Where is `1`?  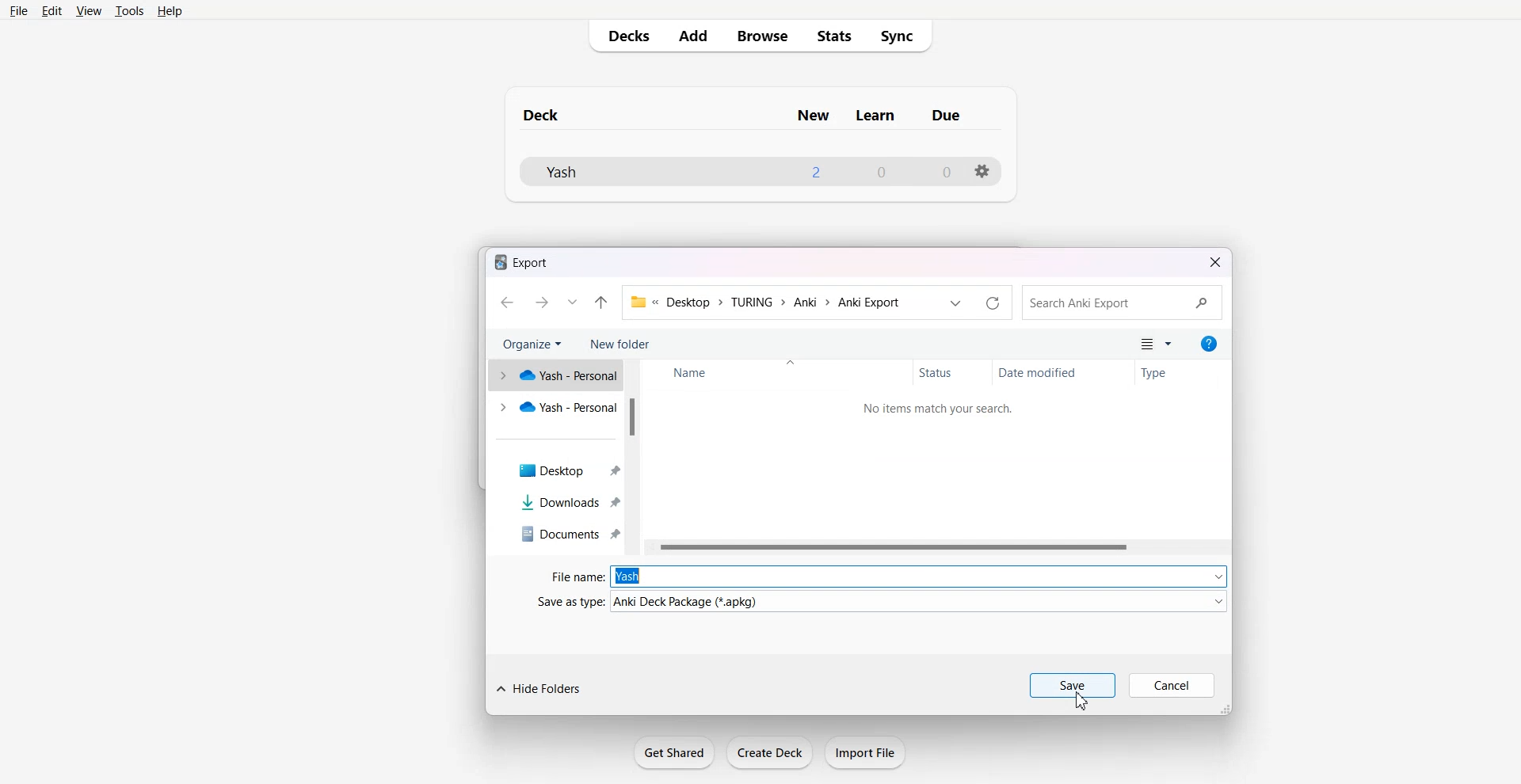
1 is located at coordinates (814, 171).